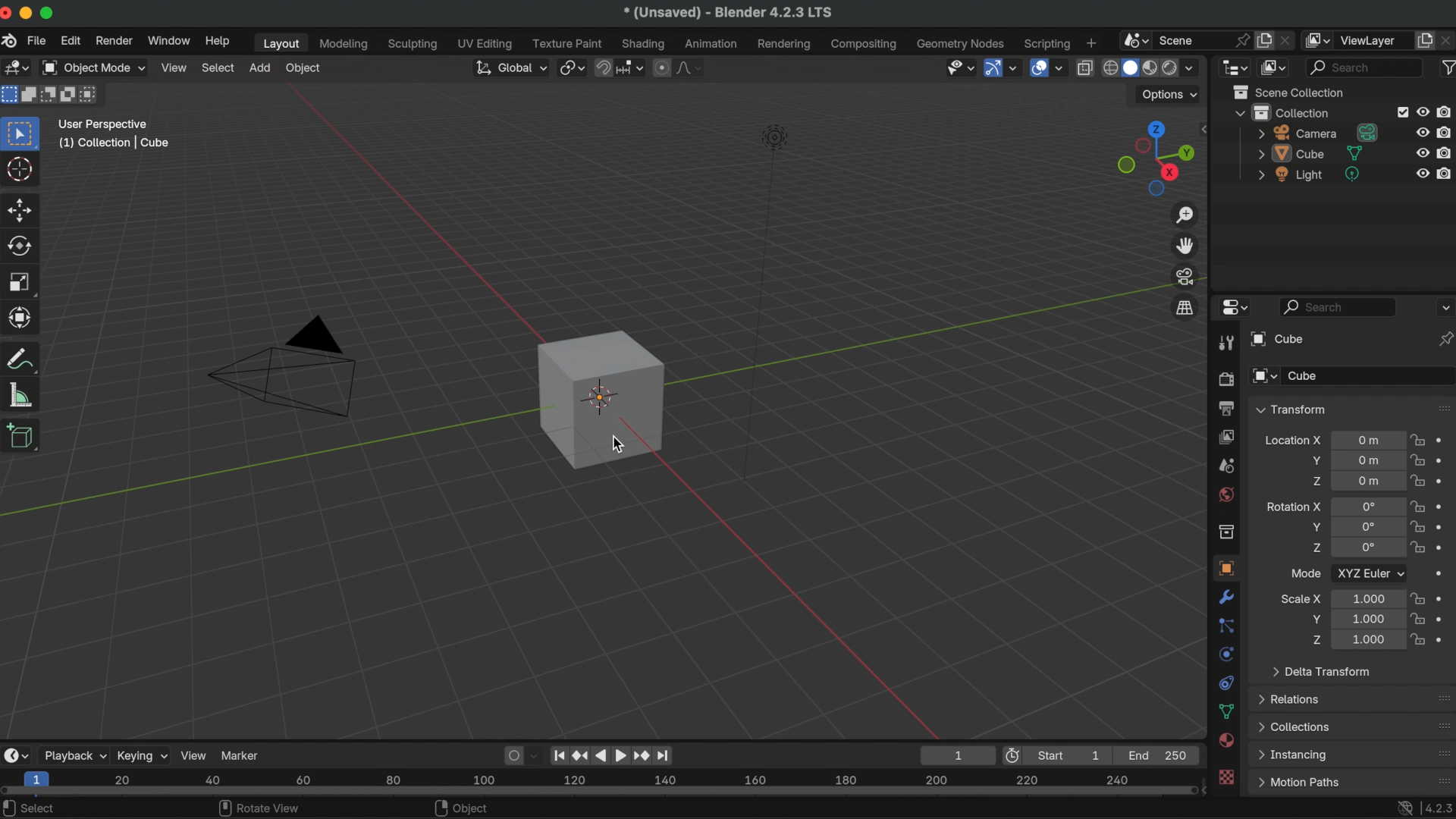 This screenshot has width=1456, height=819. Describe the element at coordinates (1227, 711) in the screenshot. I see `data` at that location.